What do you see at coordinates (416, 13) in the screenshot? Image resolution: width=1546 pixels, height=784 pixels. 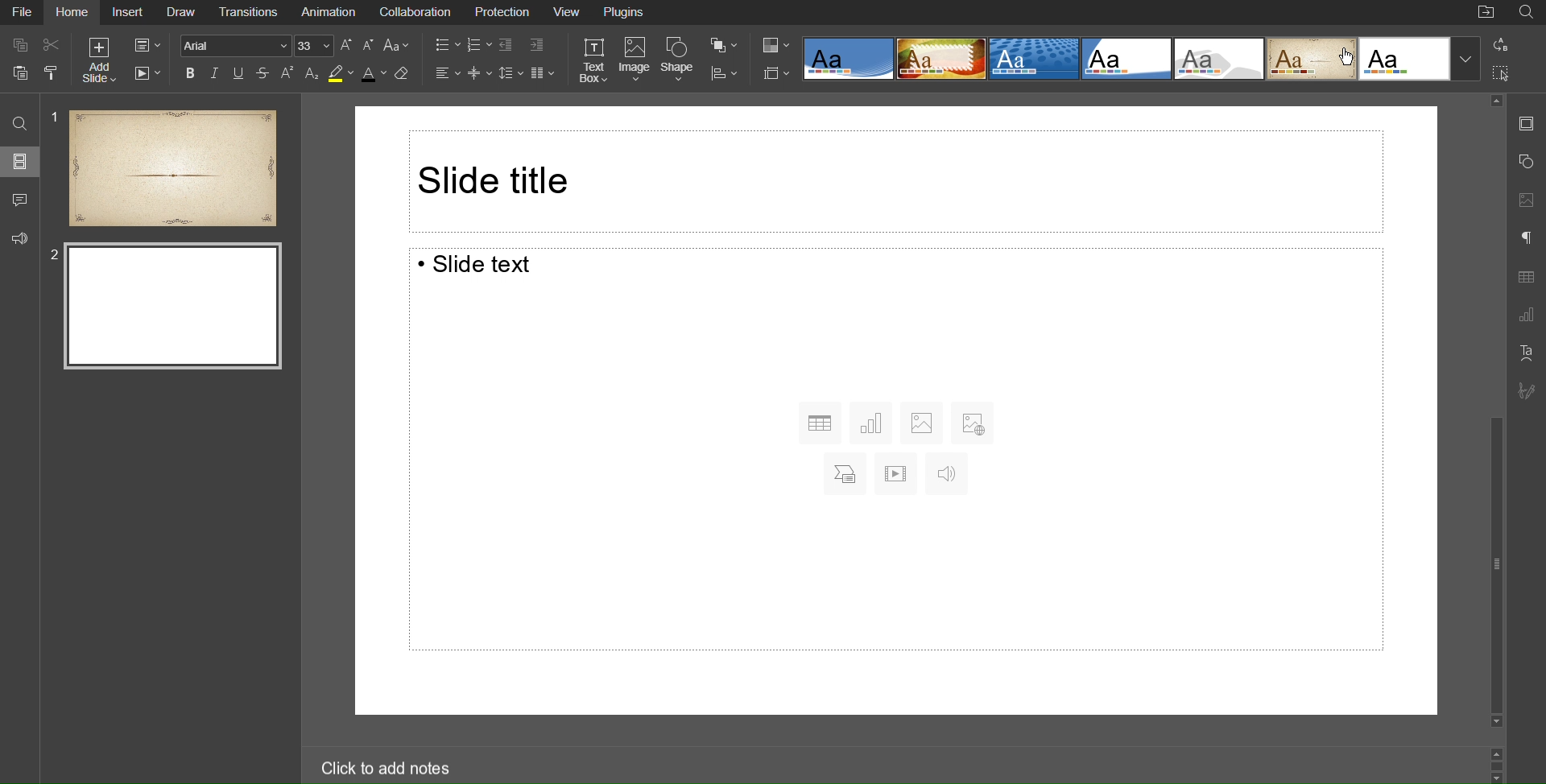 I see `Collaboration` at bounding box center [416, 13].